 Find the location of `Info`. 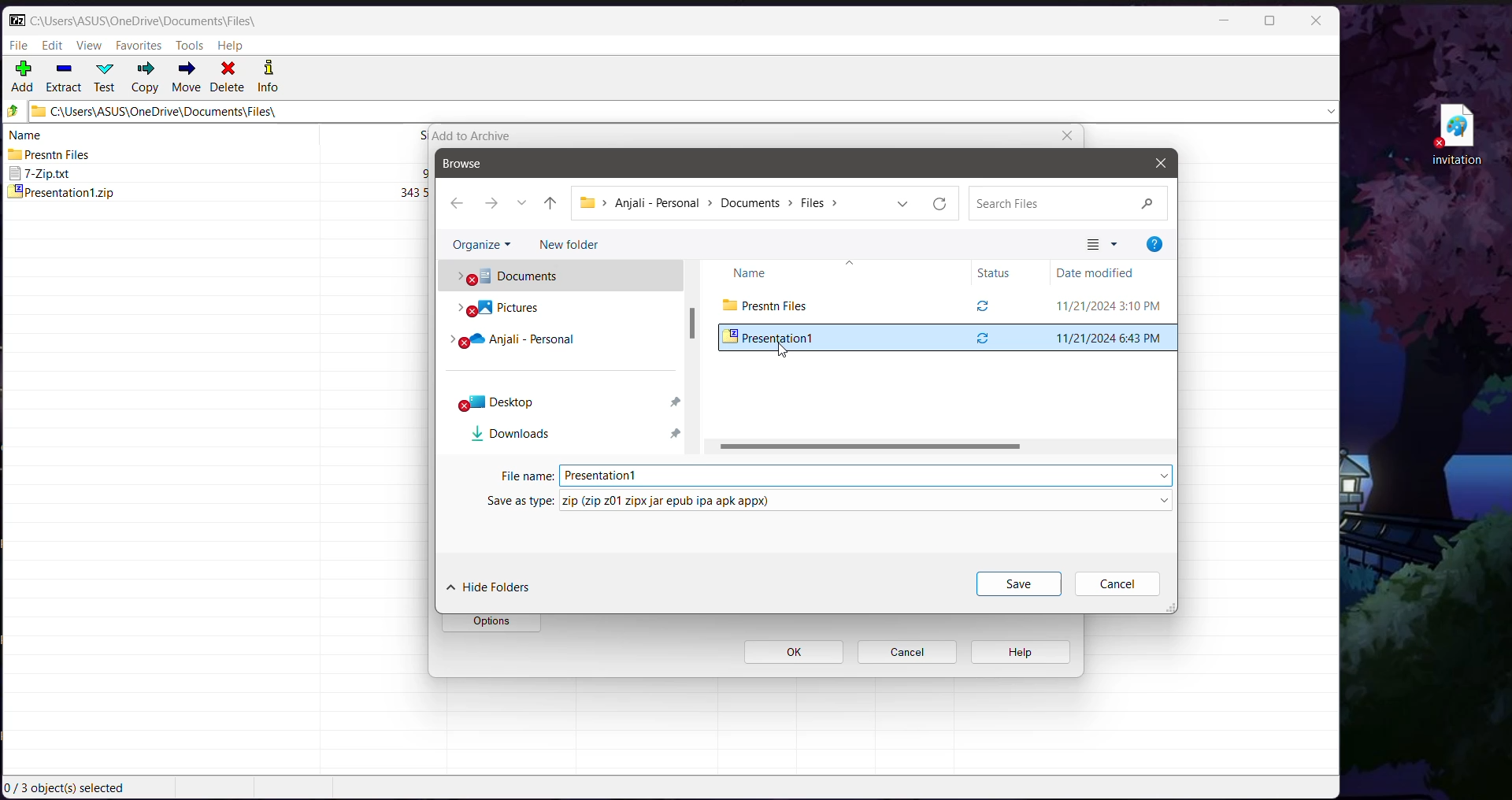

Info is located at coordinates (267, 78).